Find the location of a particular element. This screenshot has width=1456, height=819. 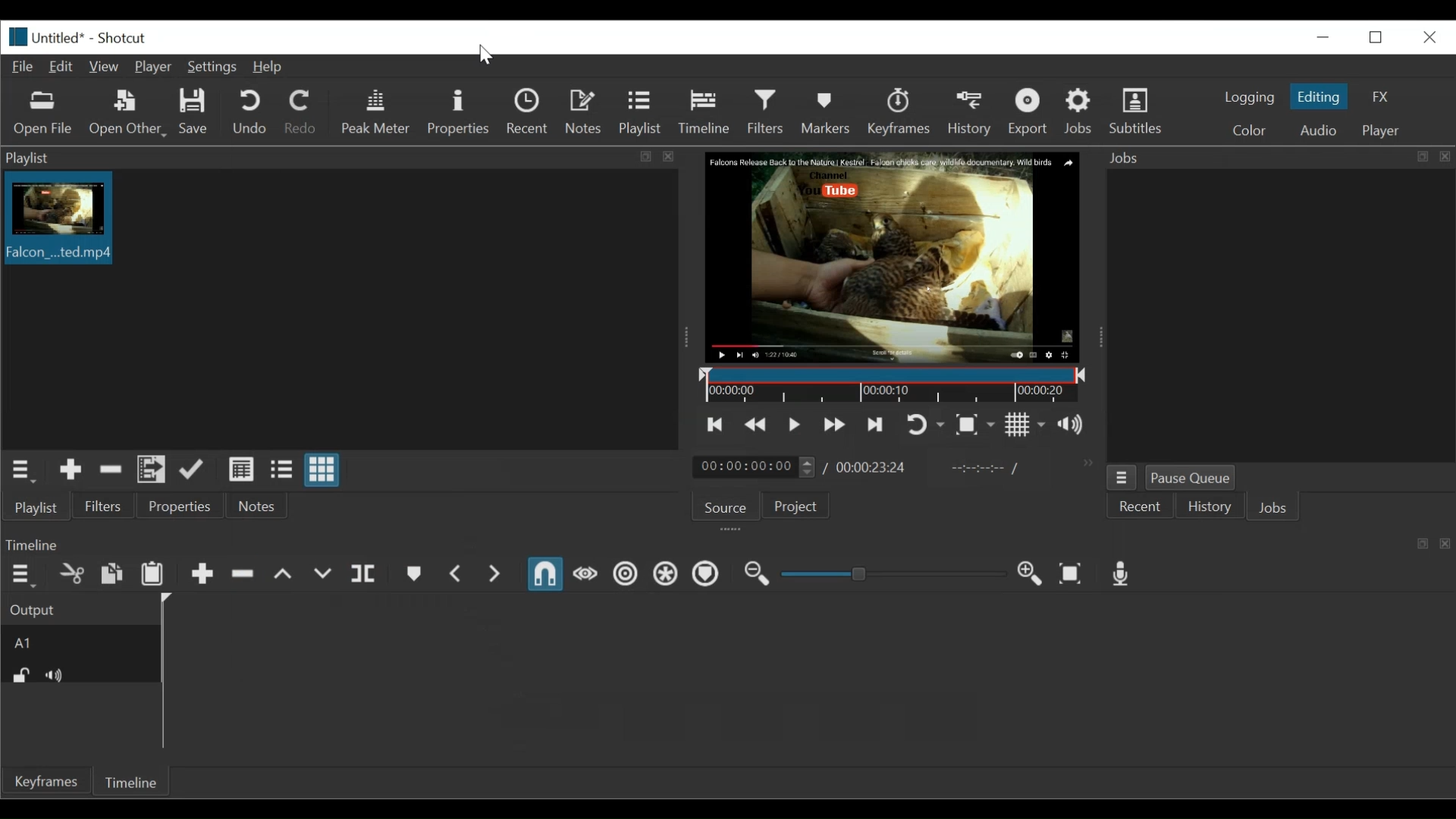

Cursor is located at coordinates (490, 57).